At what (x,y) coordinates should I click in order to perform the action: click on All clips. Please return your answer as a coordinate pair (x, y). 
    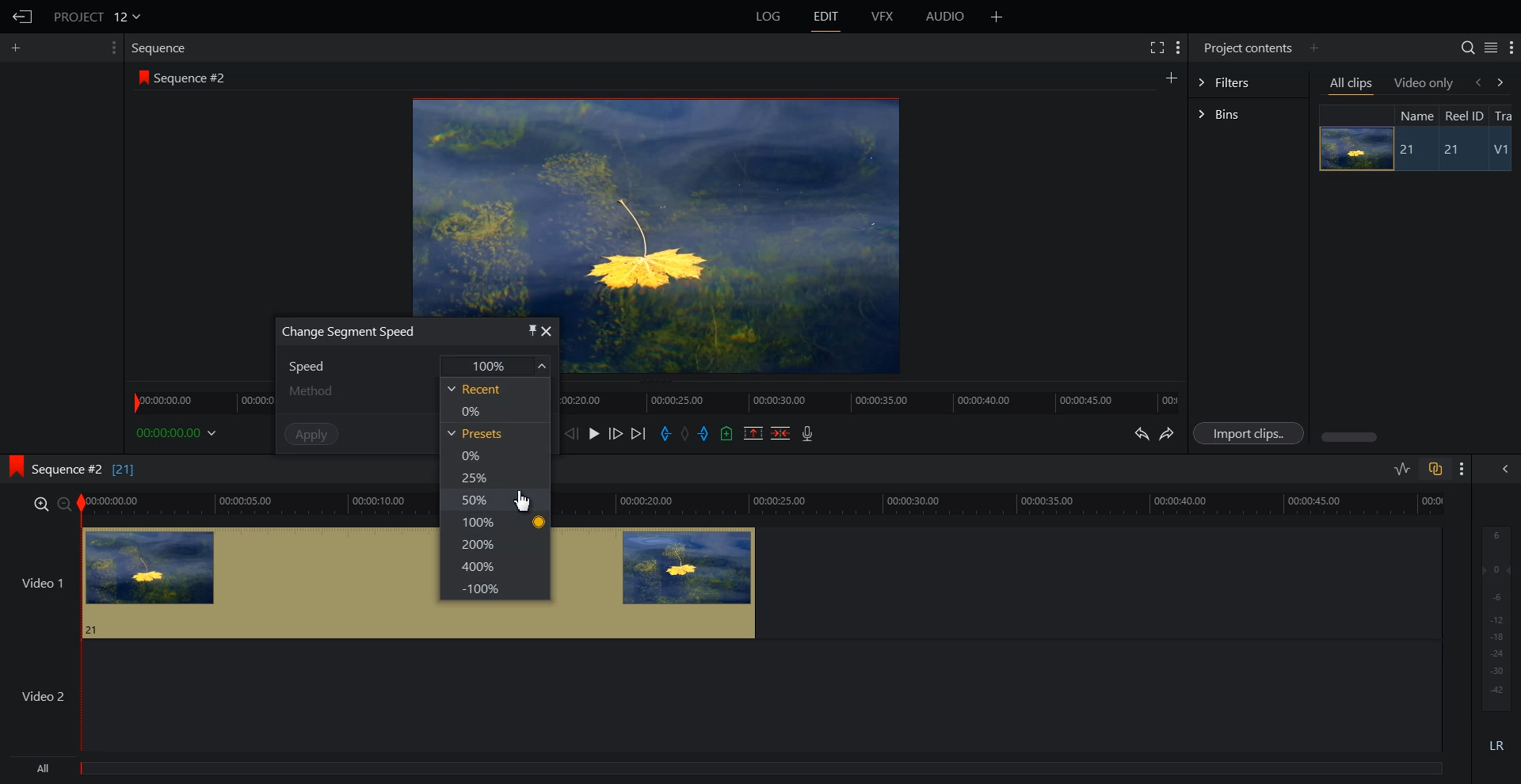
    Looking at the image, I should click on (1352, 85).